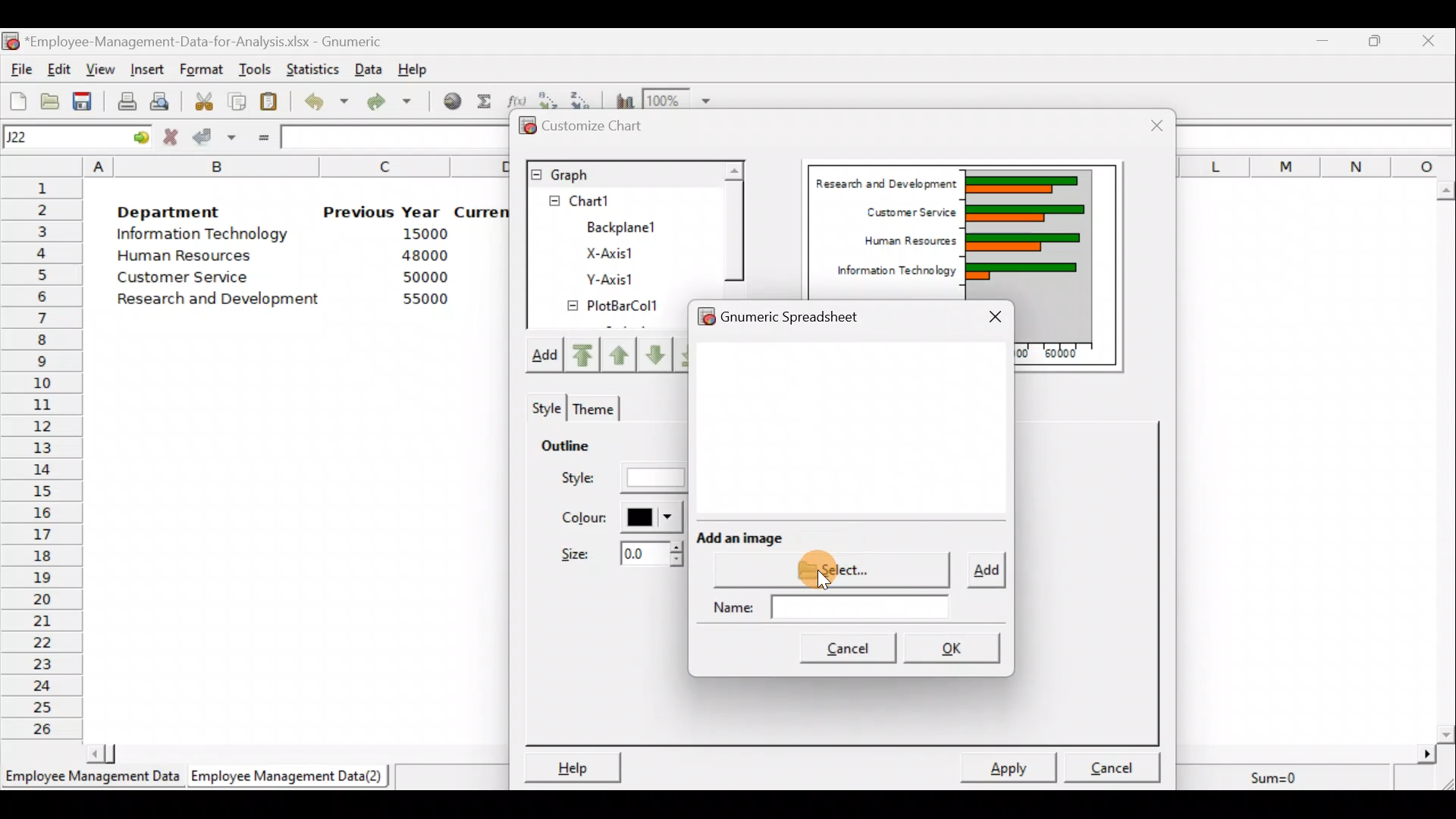 The height and width of the screenshot is (819, 1456). What do you see at coordinates (741, 534) in the screenshot?
I see `Add an image` at bounding box center [741, 534].